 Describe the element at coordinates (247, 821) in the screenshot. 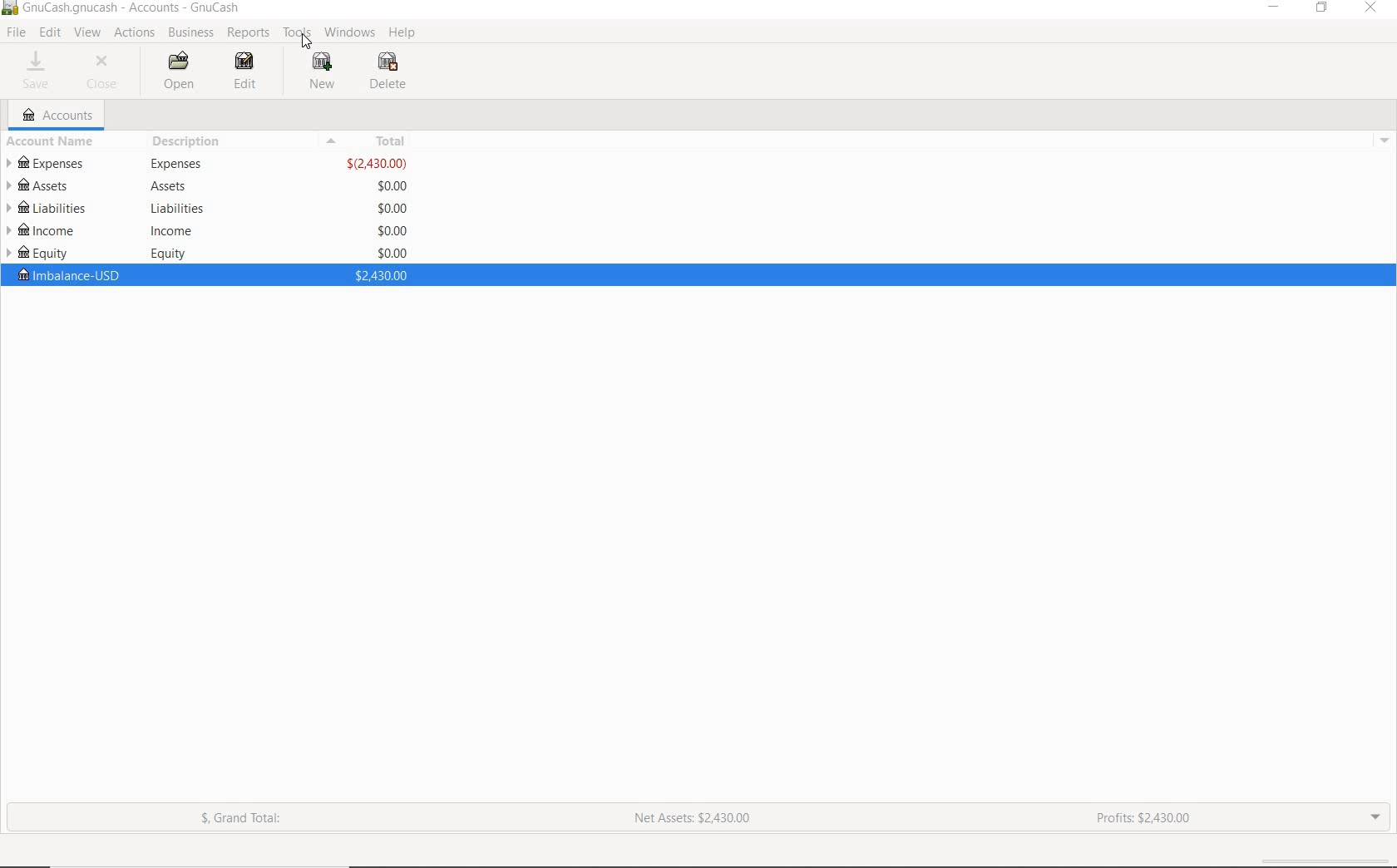

I see `GRAND TOTAL` at that location.